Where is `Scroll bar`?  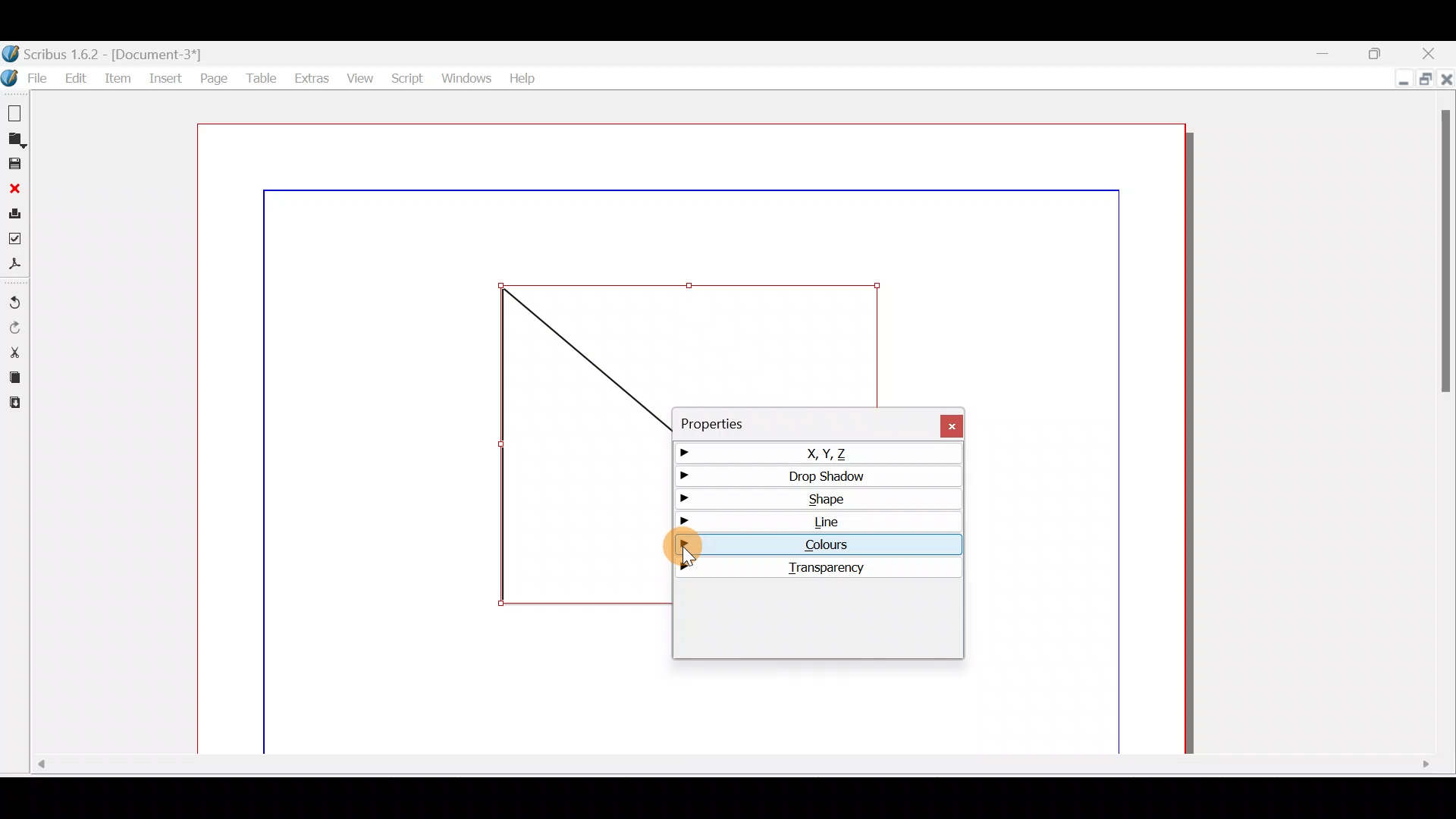
Scroll bar is located at coordinates (1446, 427).